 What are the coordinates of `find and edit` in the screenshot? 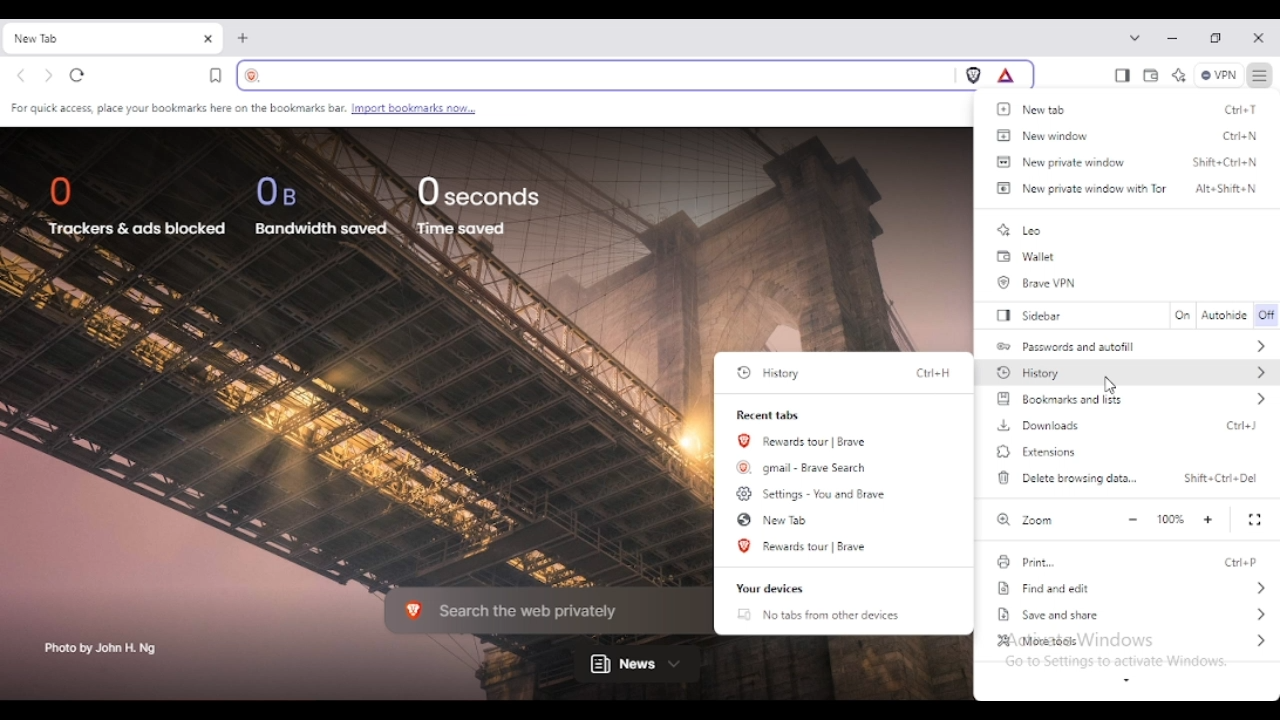 It's located at (1134, 589).